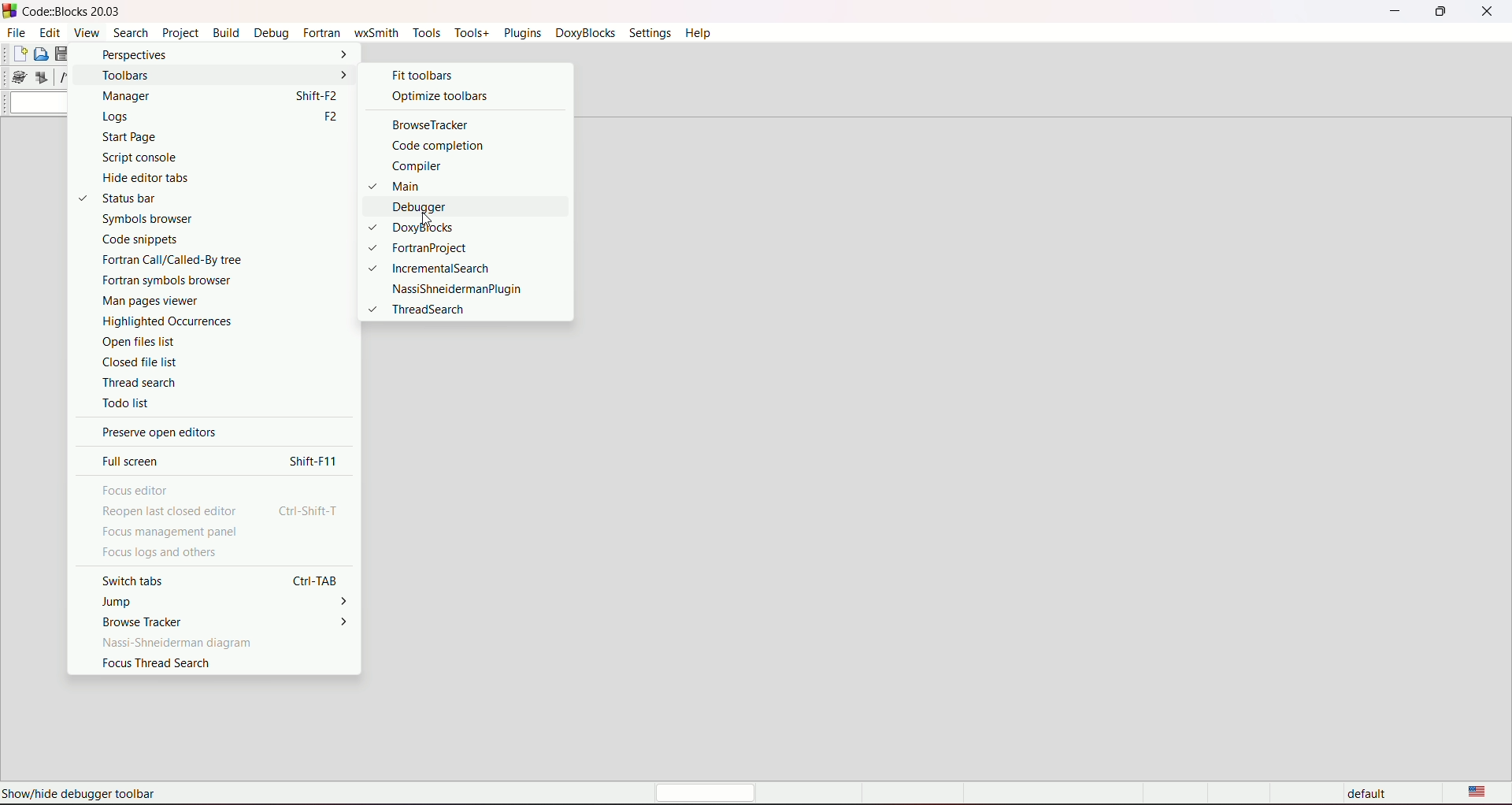  I want to click on nassi plugin, so click(455, 289).